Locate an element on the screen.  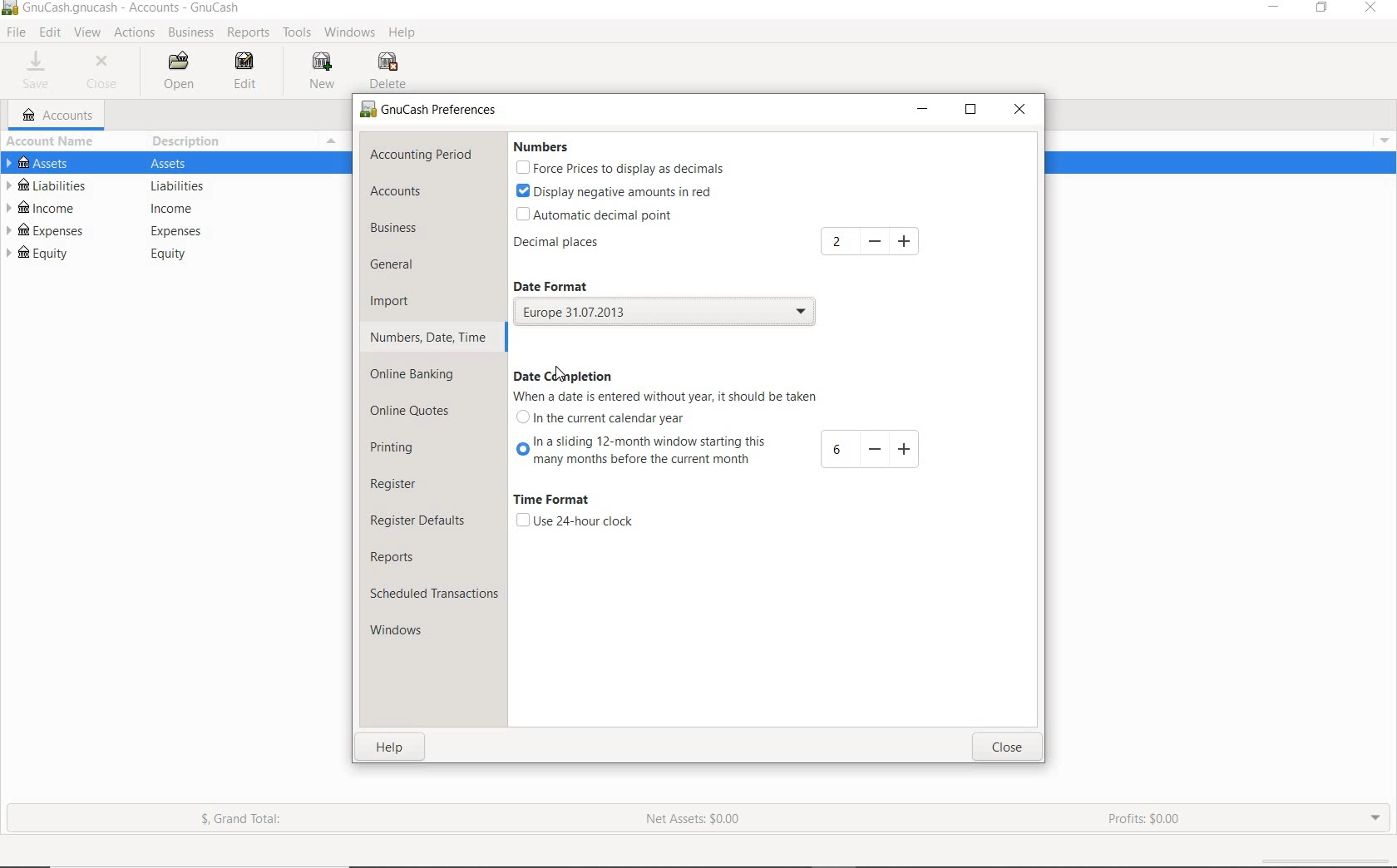
minimize is located at coordinates (924, 111).